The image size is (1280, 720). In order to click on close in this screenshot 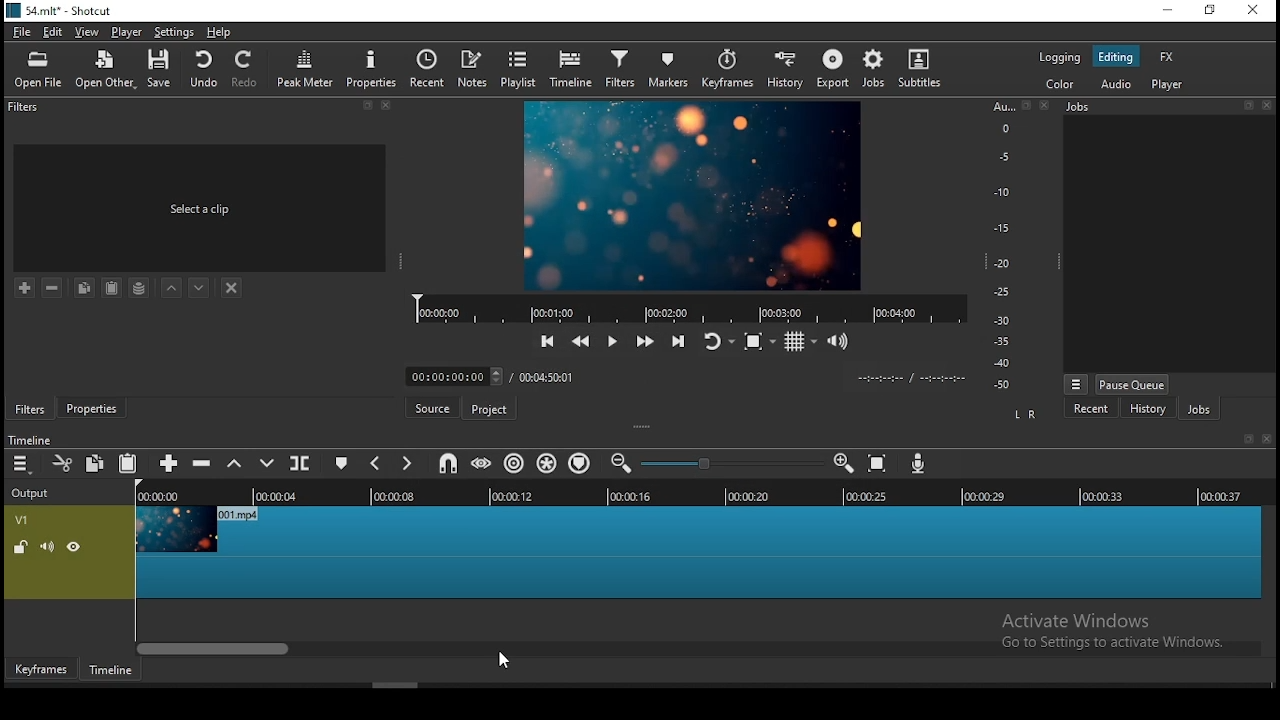, I will do `click(387, 105)`.